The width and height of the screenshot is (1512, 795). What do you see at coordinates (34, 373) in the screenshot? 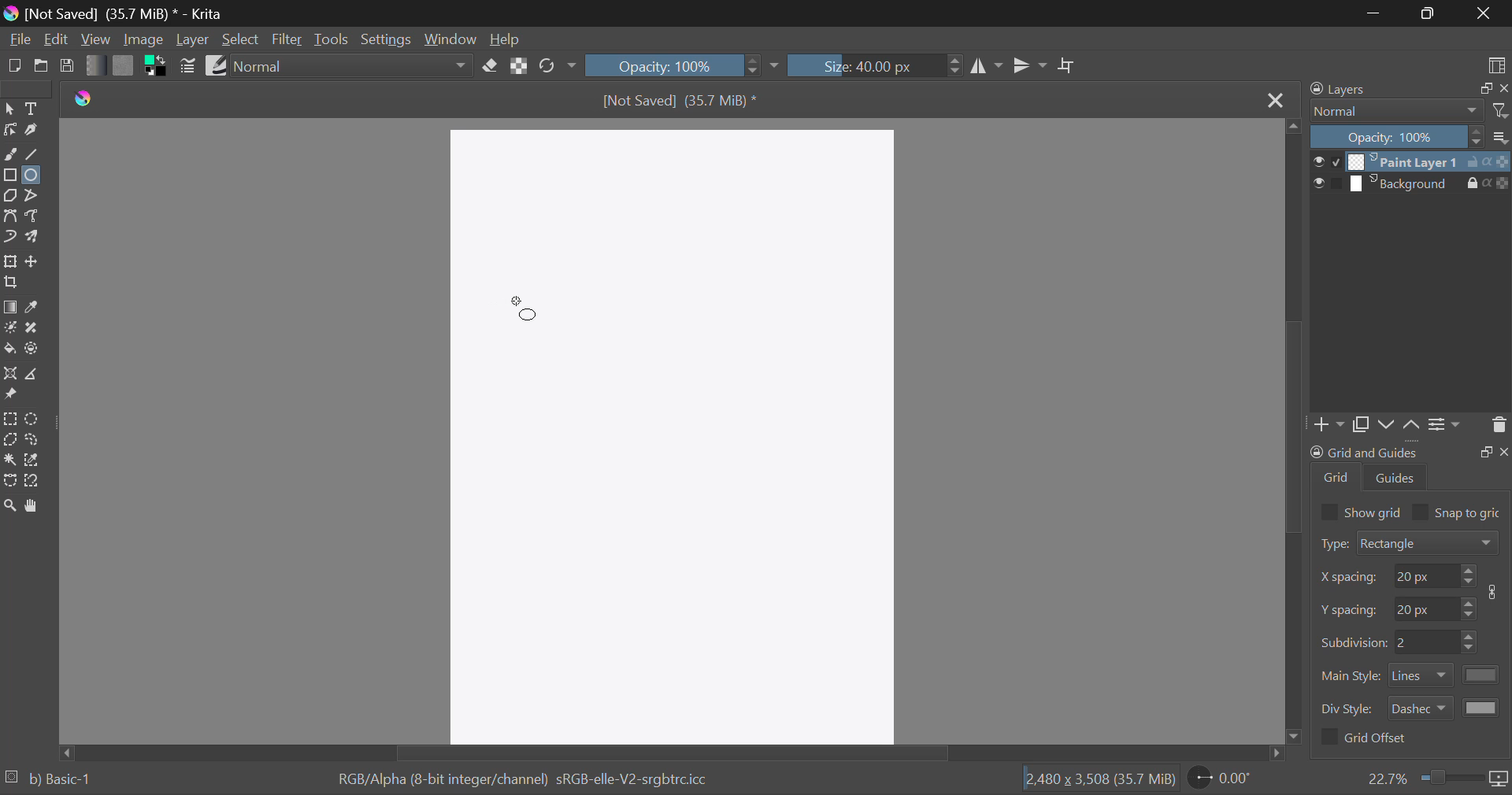
I see `Measurements` at bounding box center [34, 373].